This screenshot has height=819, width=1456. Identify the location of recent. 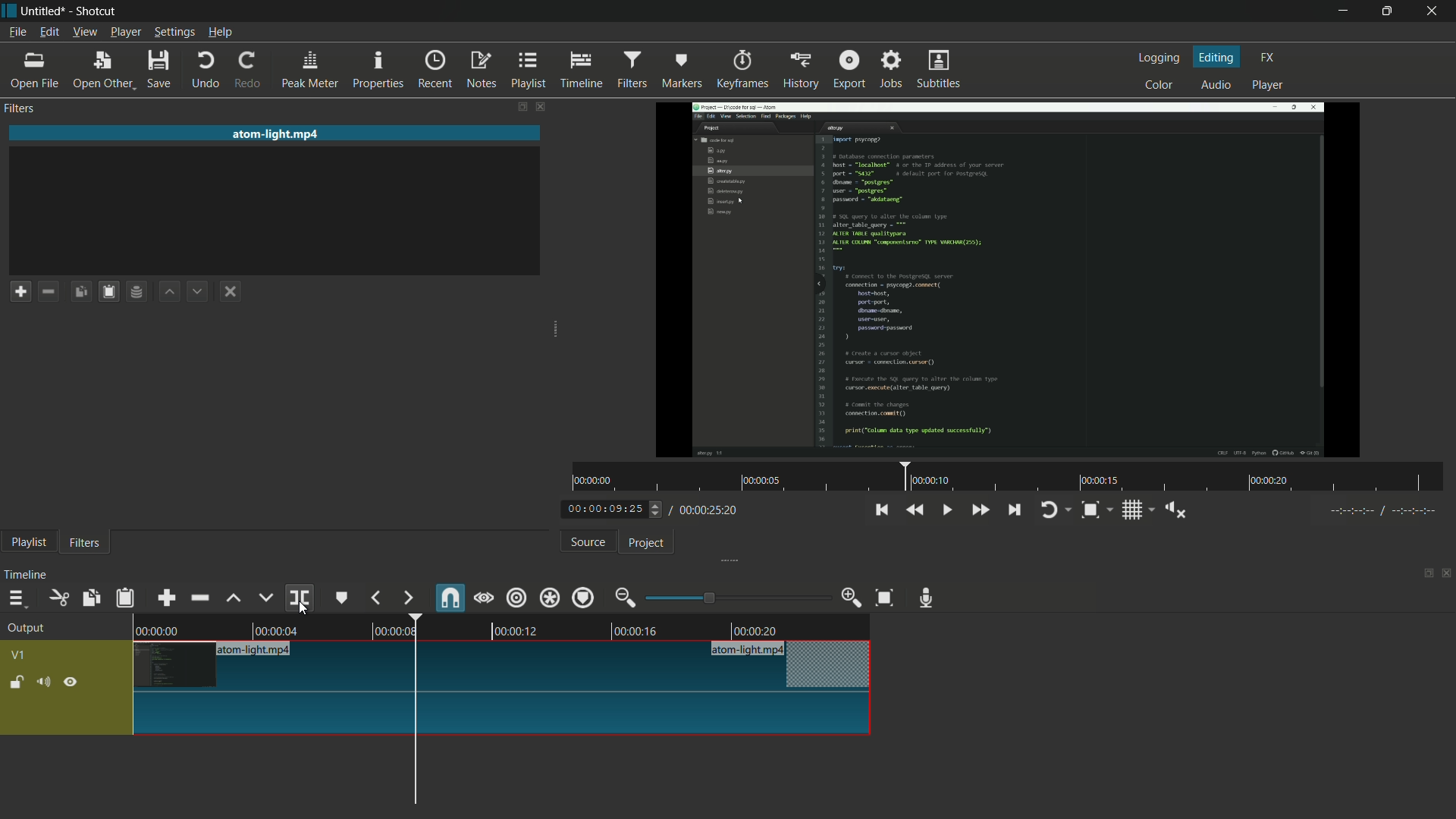
(438, 70).